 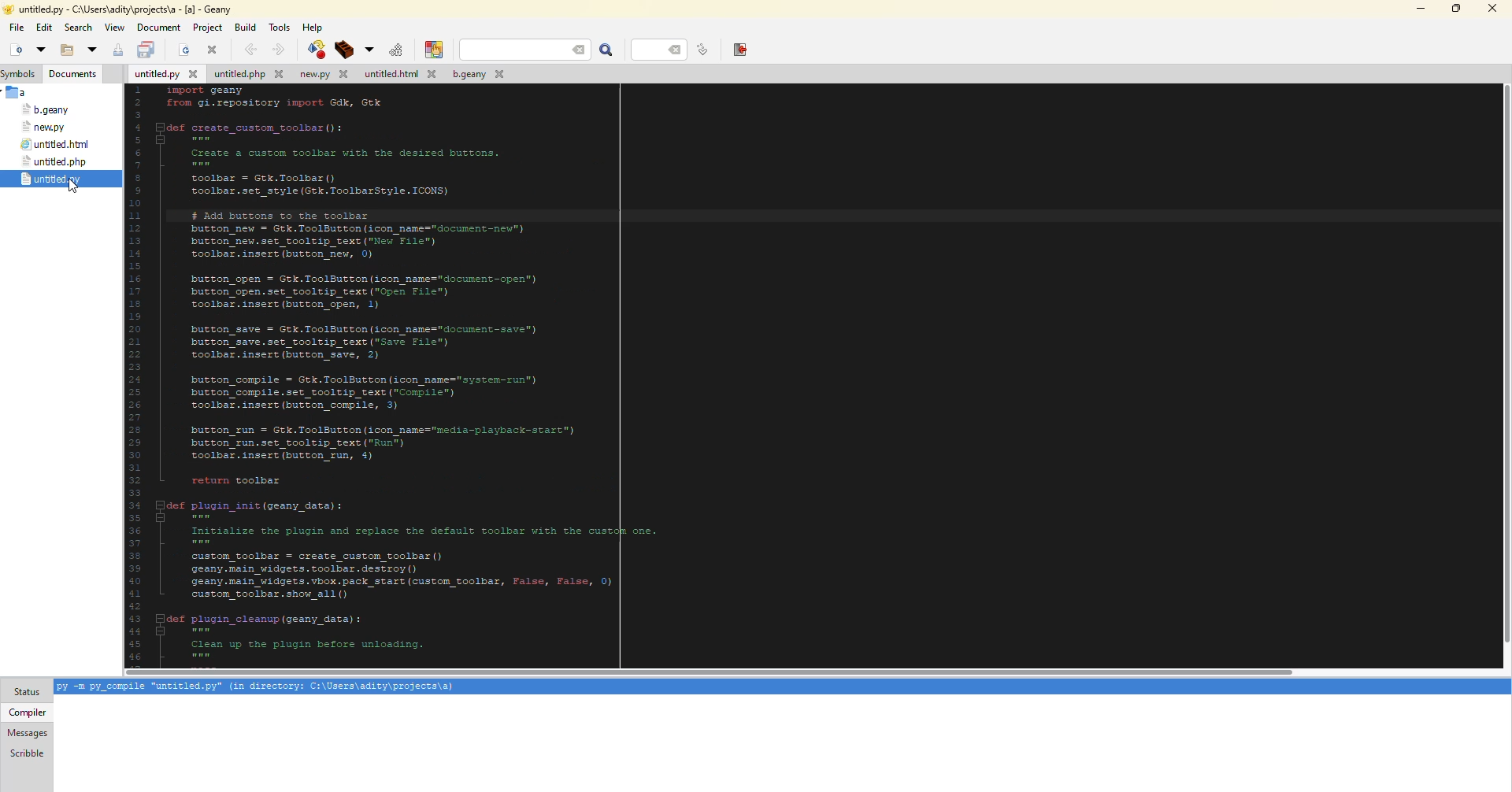 I want to click on back, so click(x=252, y=48).